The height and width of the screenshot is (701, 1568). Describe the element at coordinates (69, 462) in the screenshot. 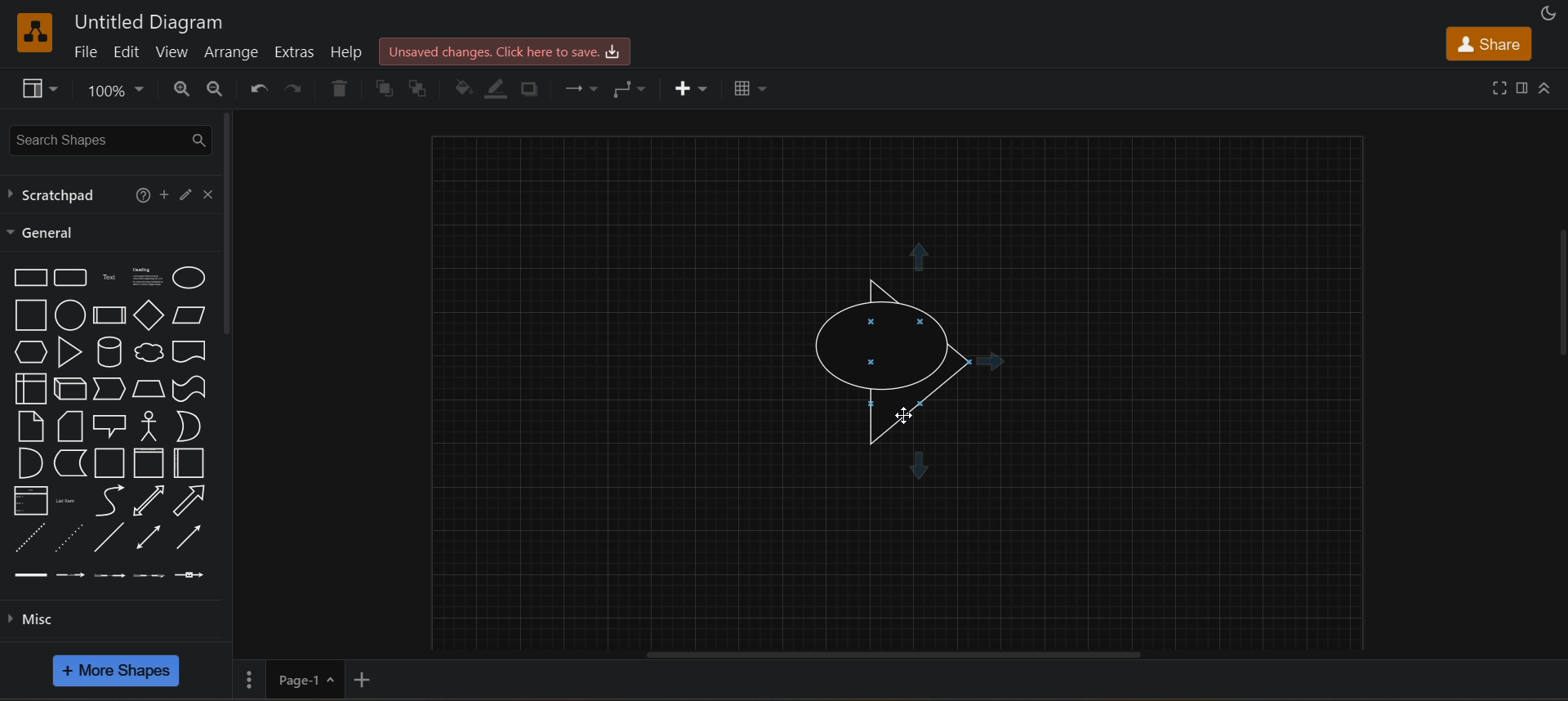

I see `data storage` at that location.